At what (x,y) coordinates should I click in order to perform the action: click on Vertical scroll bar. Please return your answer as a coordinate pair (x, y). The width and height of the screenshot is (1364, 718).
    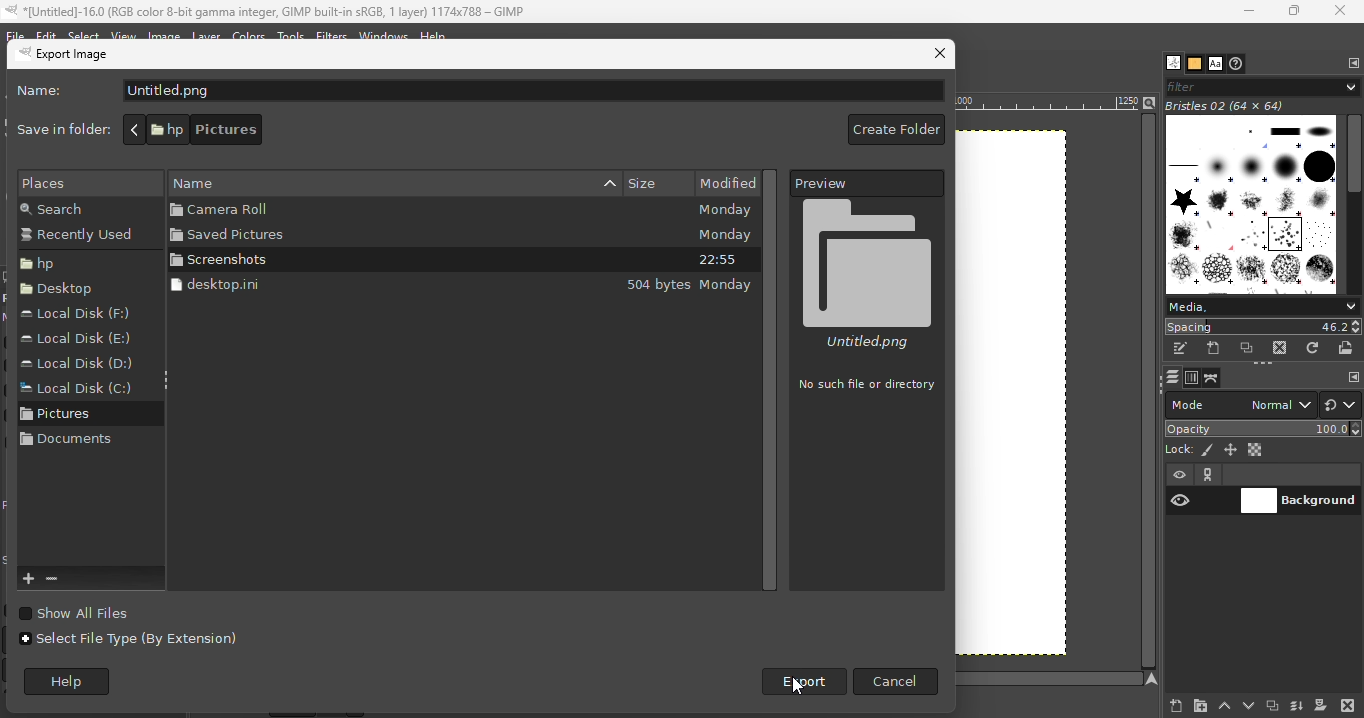
    Looking at the image, I should click on (775, 378).